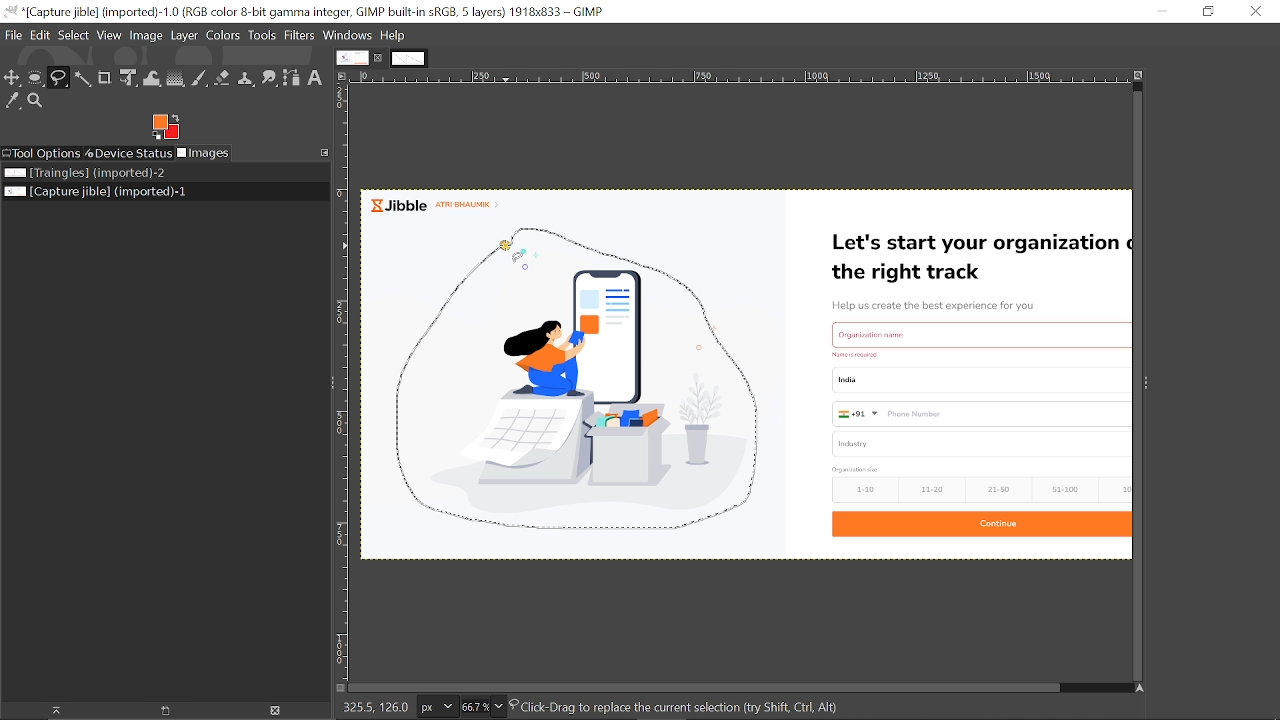  Describe the element at coordinates (41, 153) in the screenshot. I see `Tool options` at that location.